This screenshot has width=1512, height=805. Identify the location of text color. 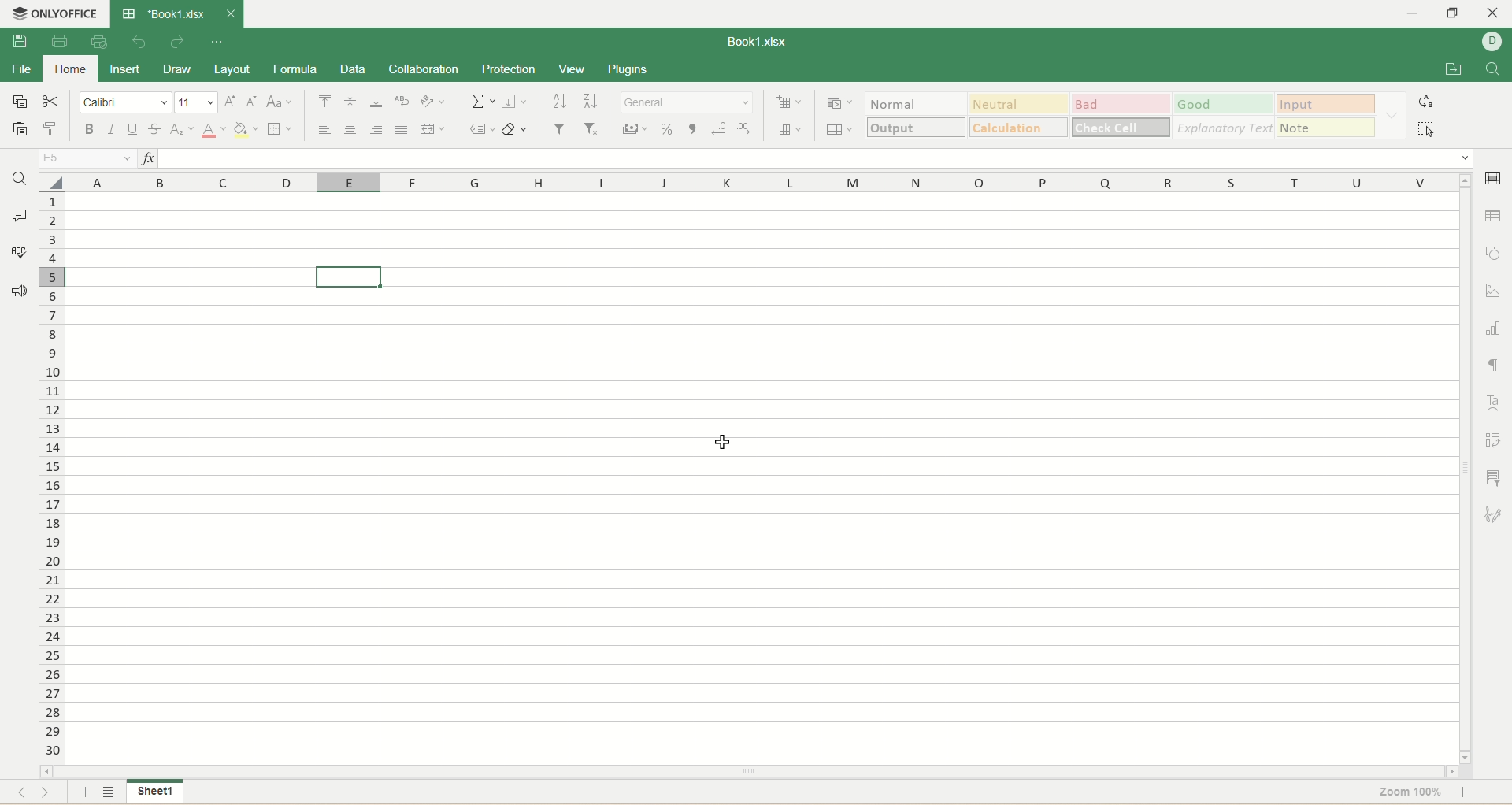
(213, 132).